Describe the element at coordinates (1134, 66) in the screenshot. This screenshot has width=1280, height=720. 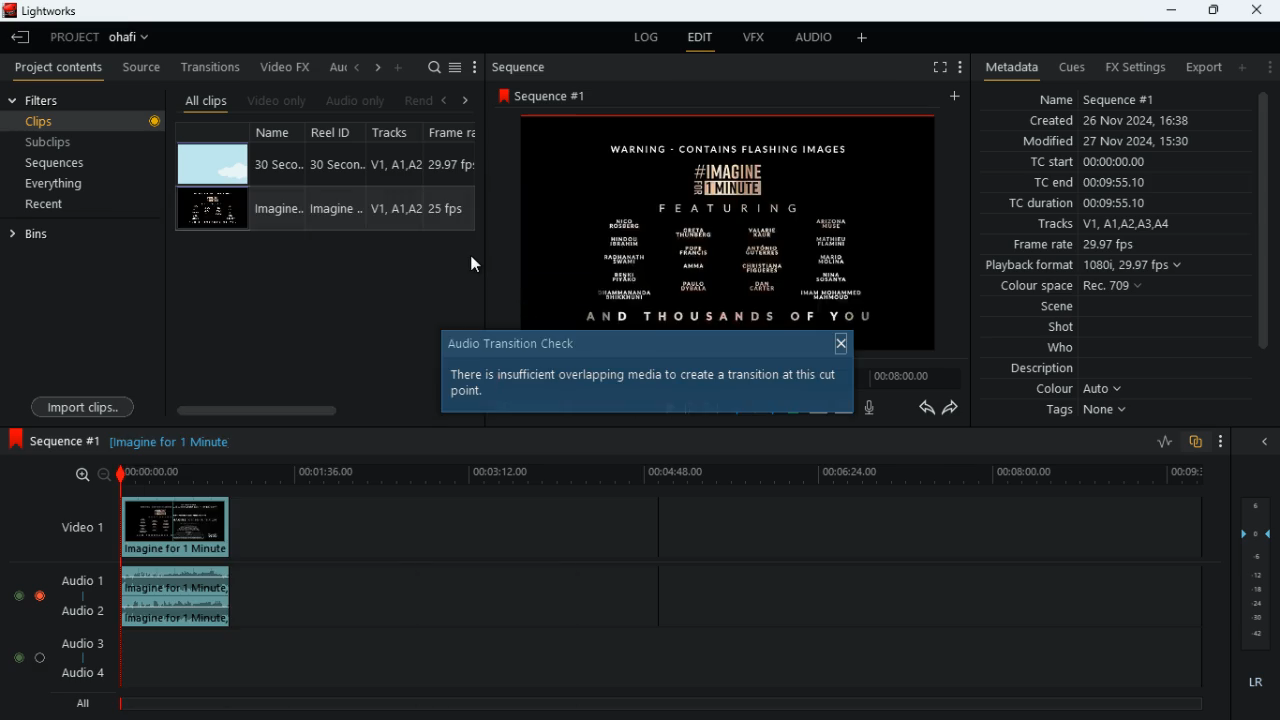
I see `fx settings` at that location.